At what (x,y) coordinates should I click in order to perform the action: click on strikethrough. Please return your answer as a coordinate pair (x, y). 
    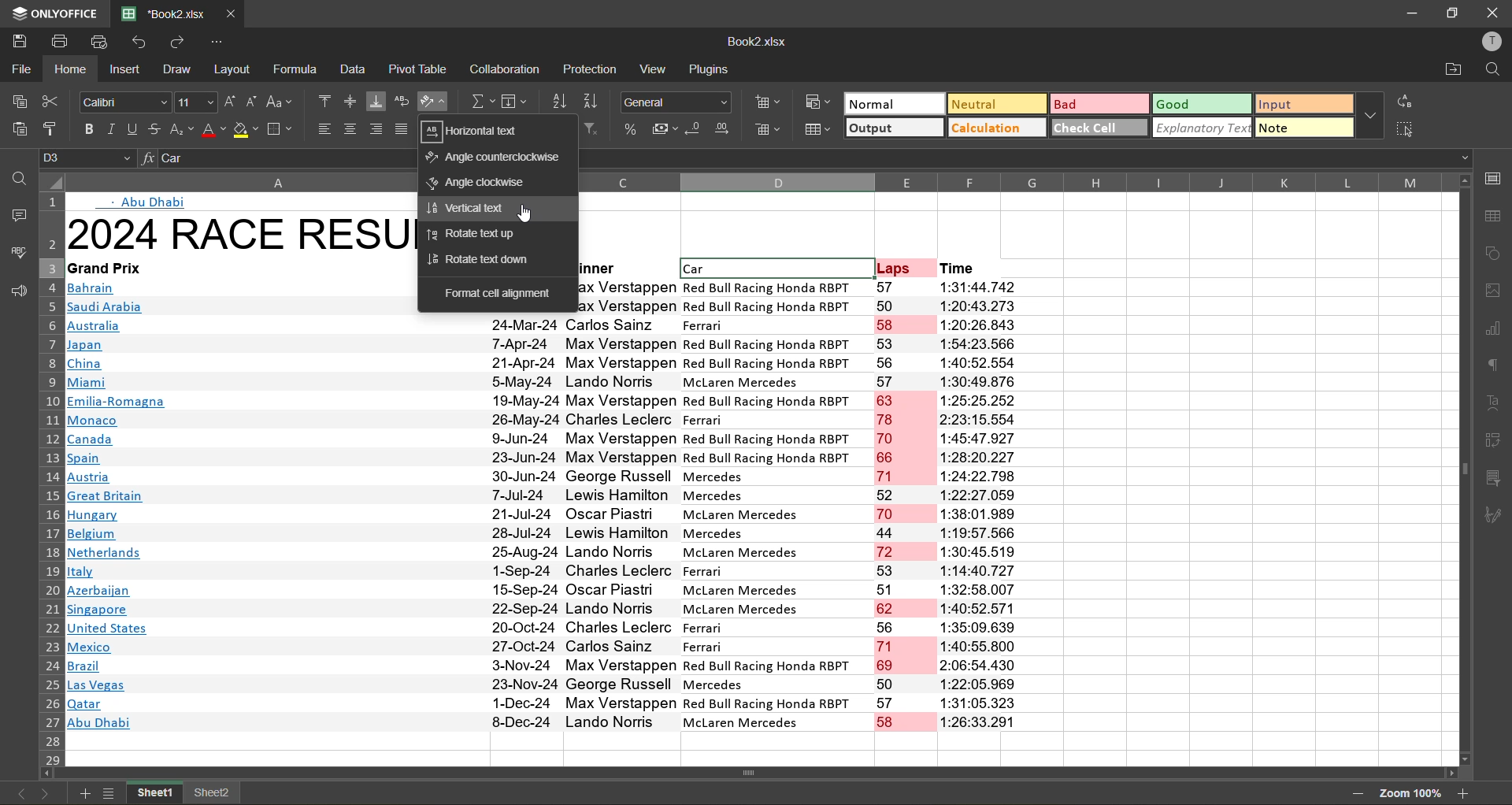
    Looking at the image, I should click on (157, 130).